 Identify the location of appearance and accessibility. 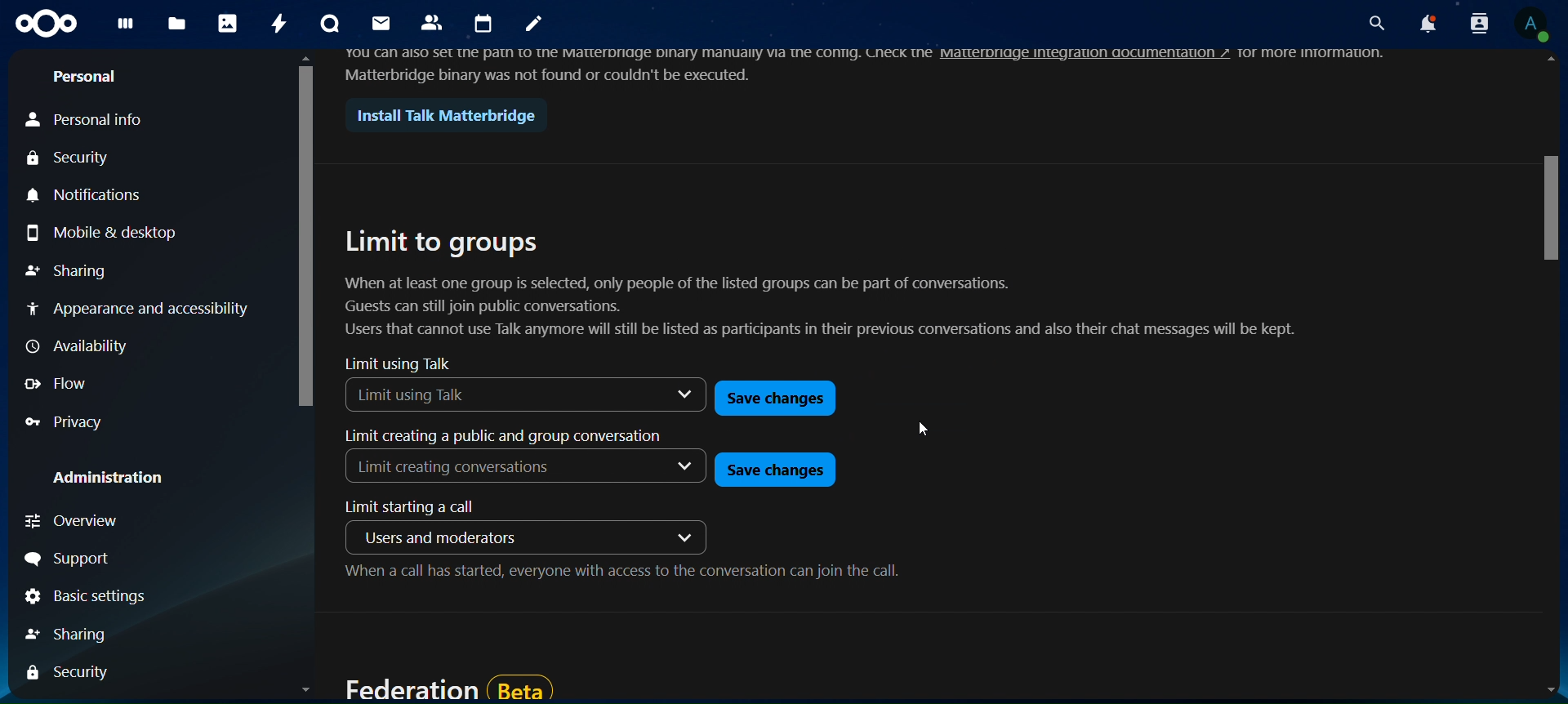
(138, 307).